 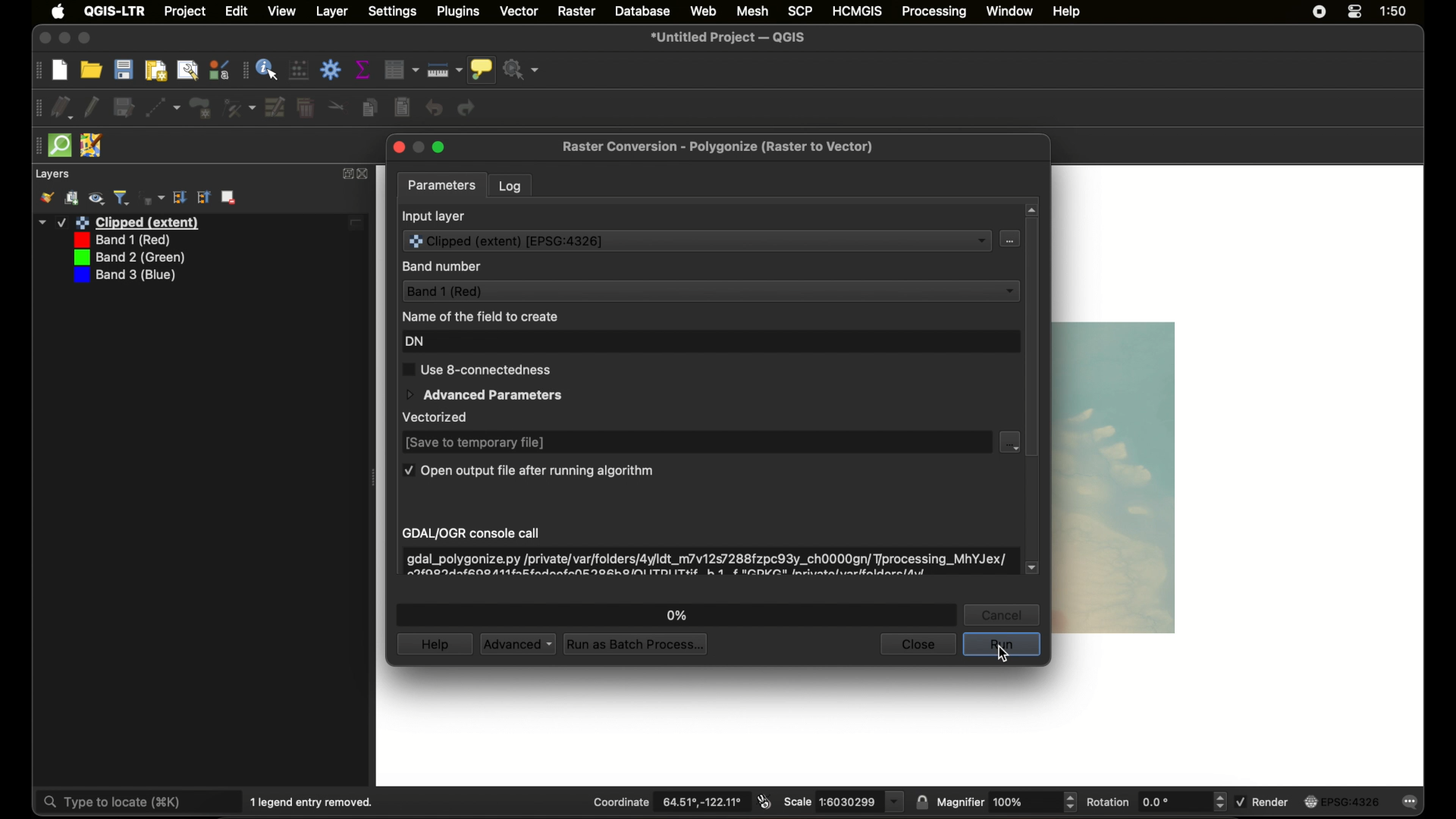 I want to click on run, so click(x=1002, y=645).